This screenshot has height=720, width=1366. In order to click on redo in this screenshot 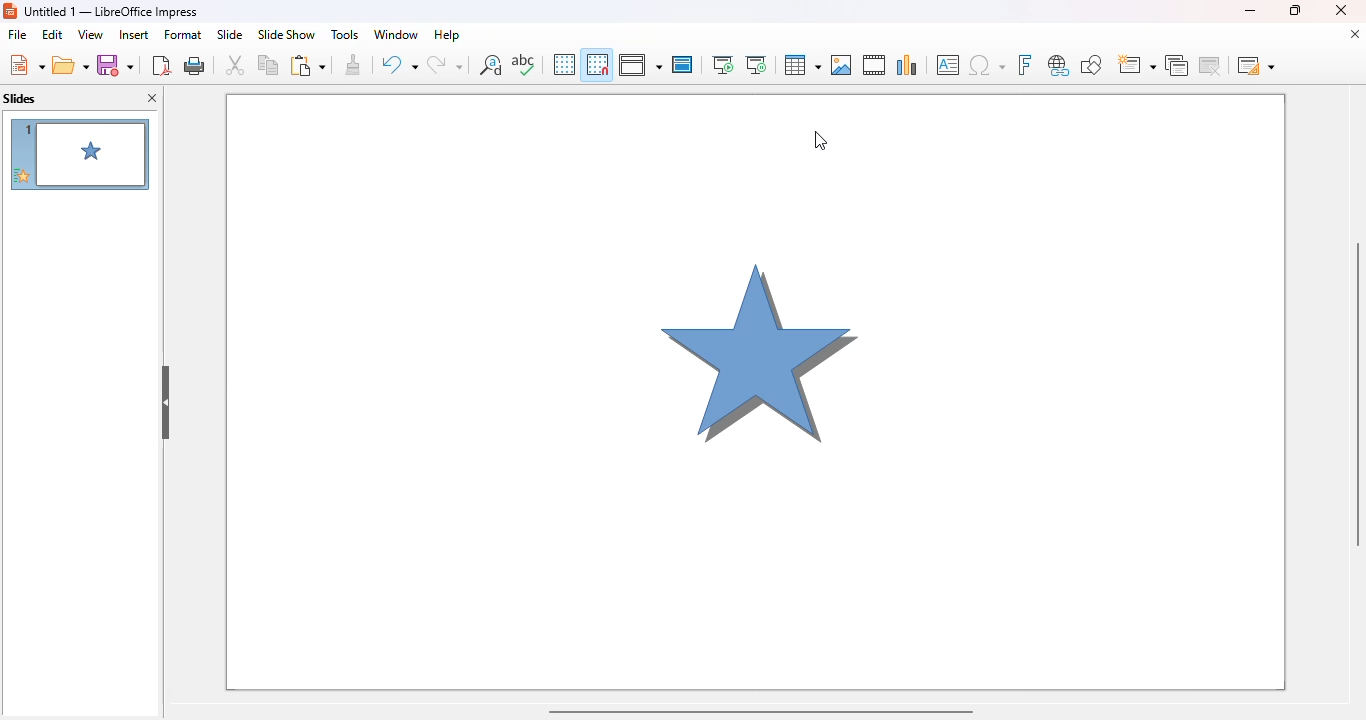, I will do `click(445, 64)`.